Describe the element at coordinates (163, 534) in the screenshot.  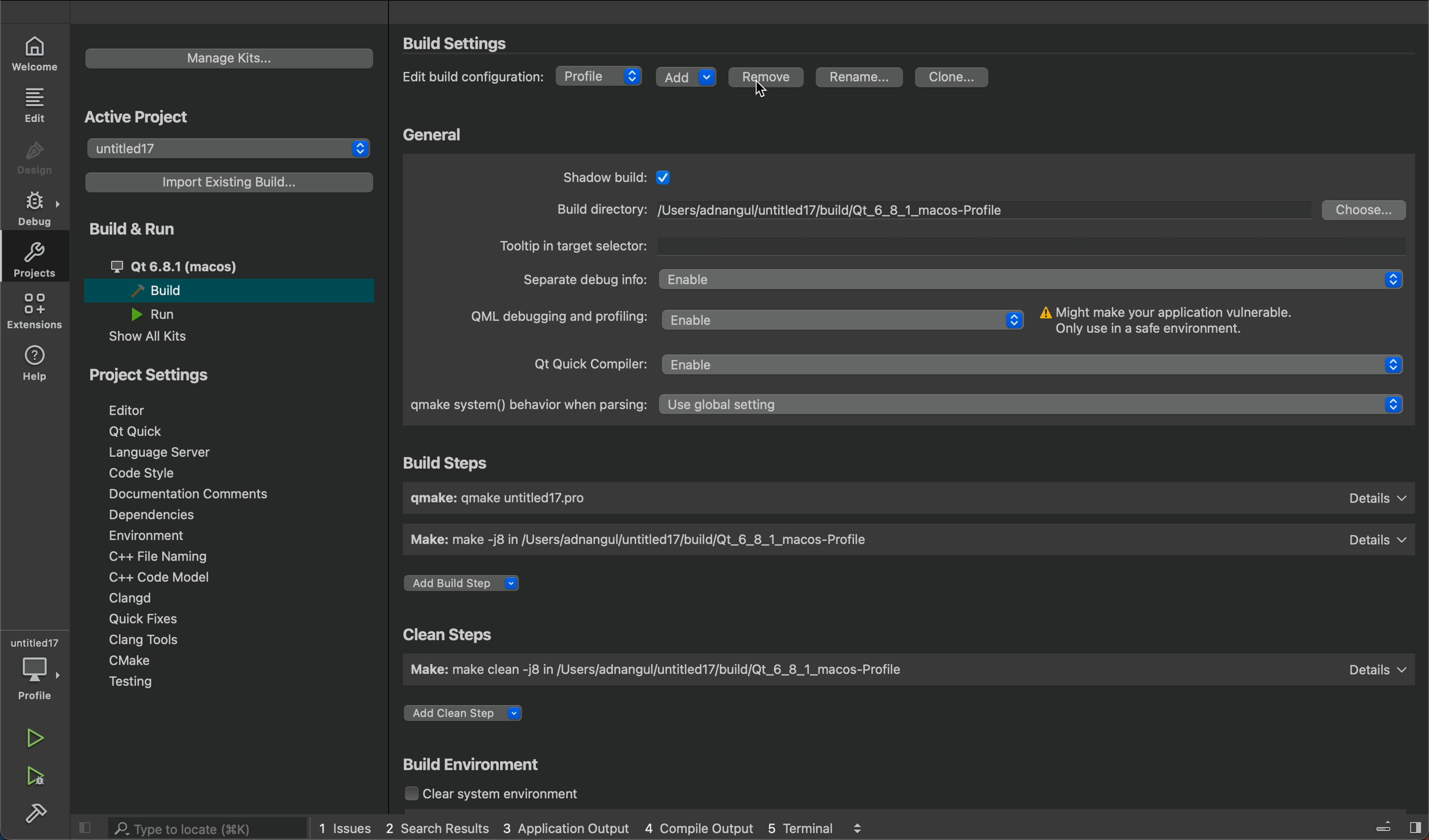
I see `environment` at that location.